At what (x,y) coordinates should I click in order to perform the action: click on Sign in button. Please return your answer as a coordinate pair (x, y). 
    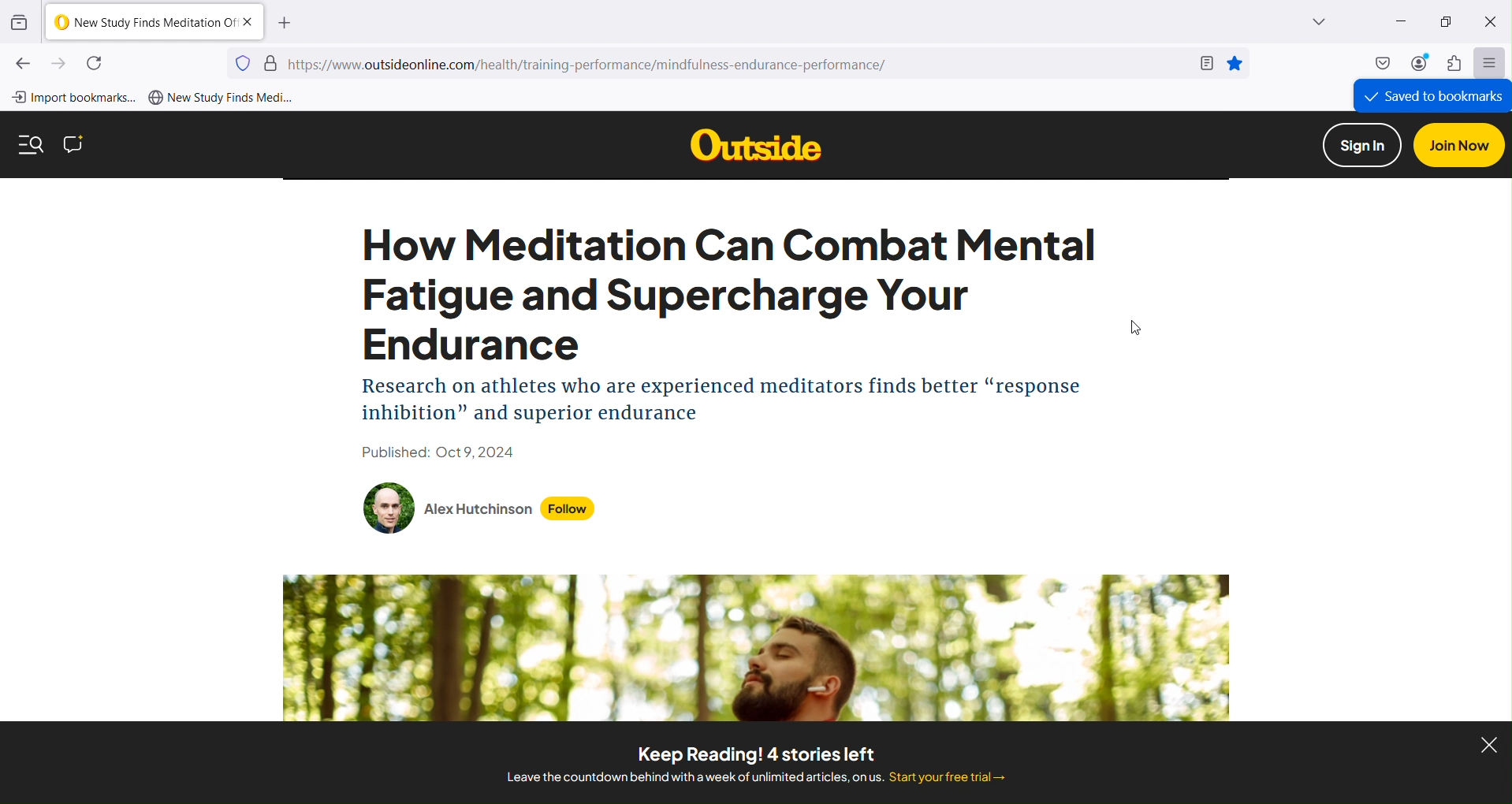
    Looking at the image, I should click on (1362, 145).